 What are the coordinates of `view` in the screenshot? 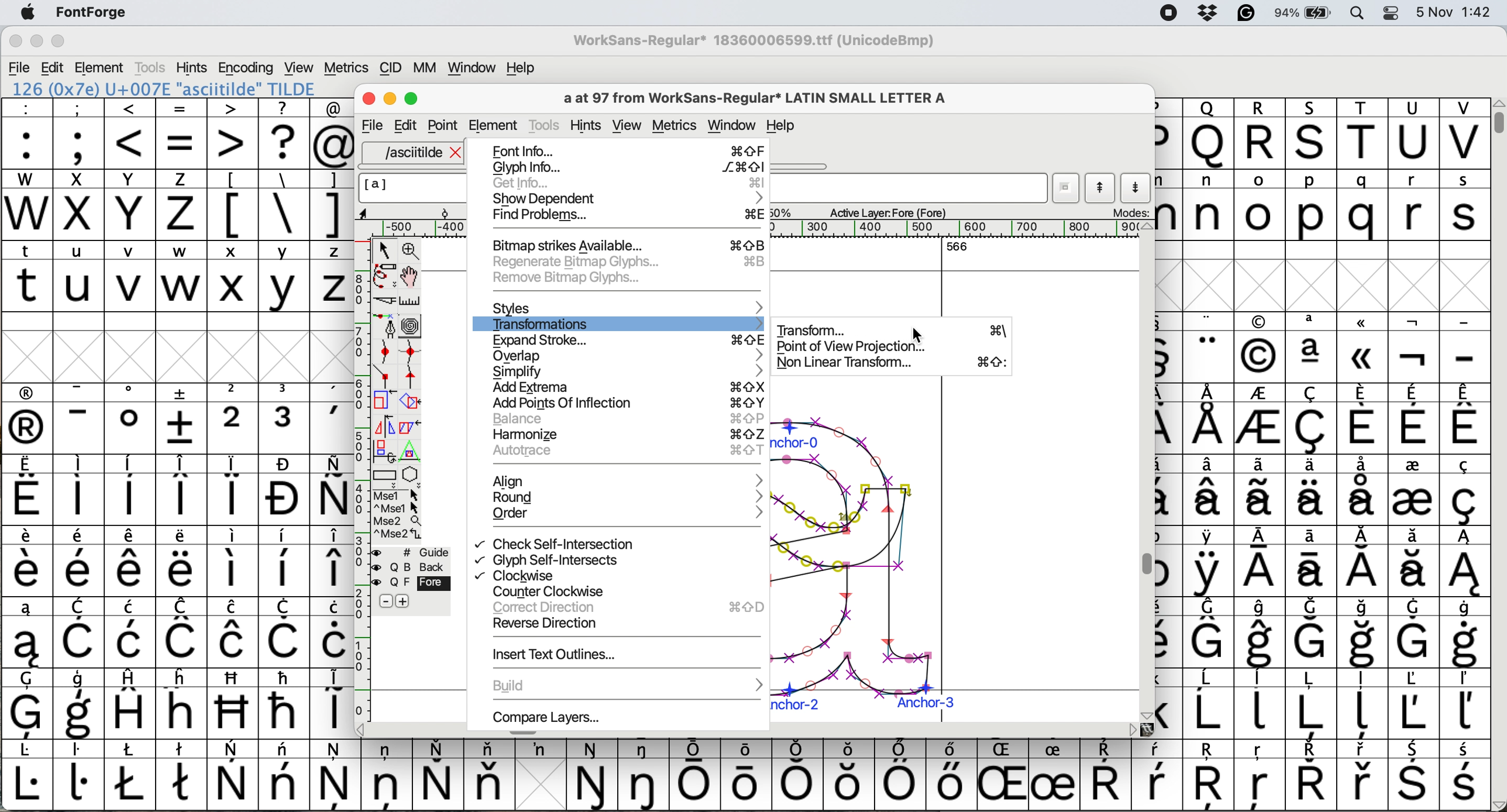 It's located at (626, 126).